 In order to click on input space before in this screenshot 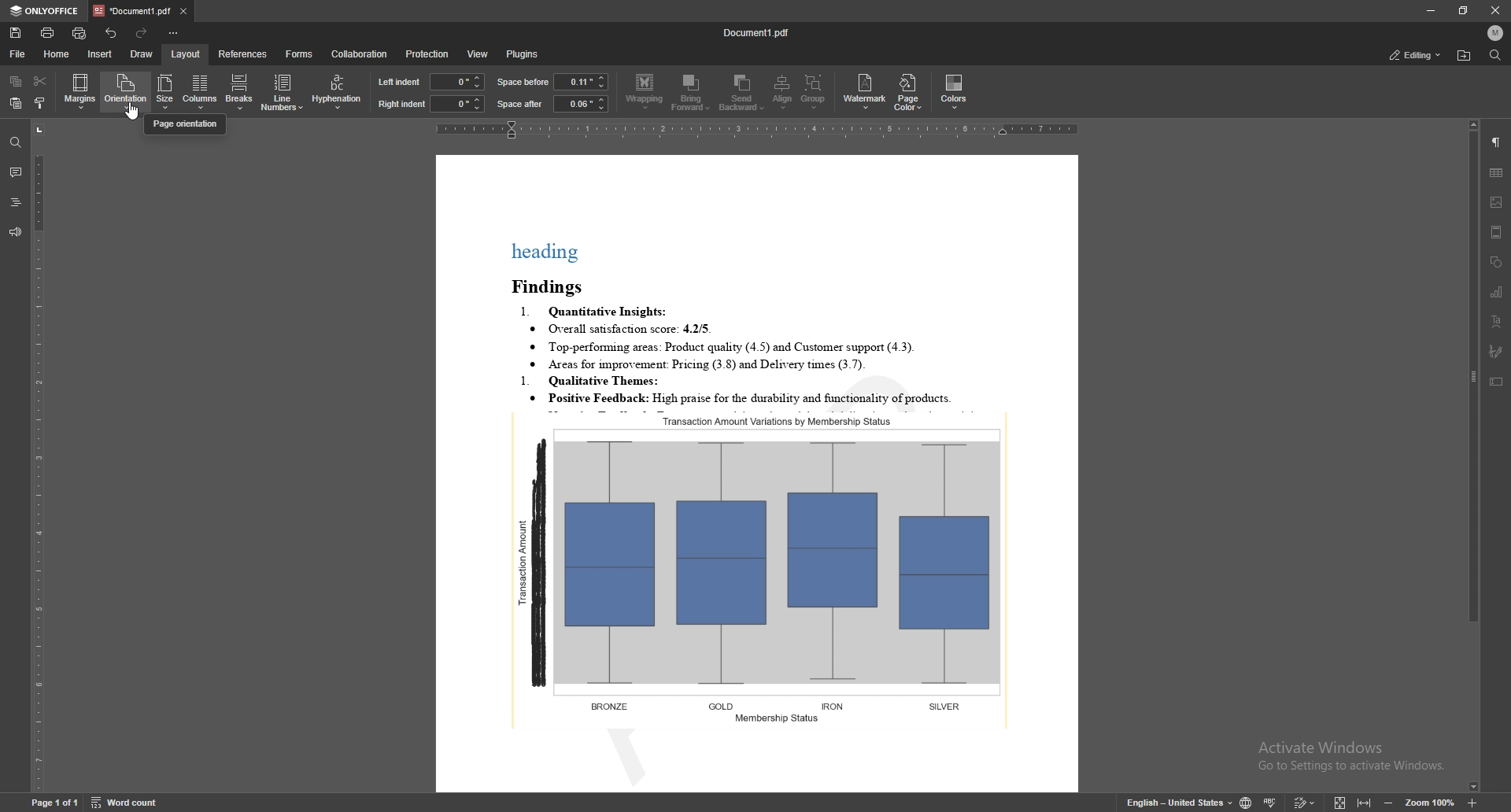, I will do `click(580, 81)`.